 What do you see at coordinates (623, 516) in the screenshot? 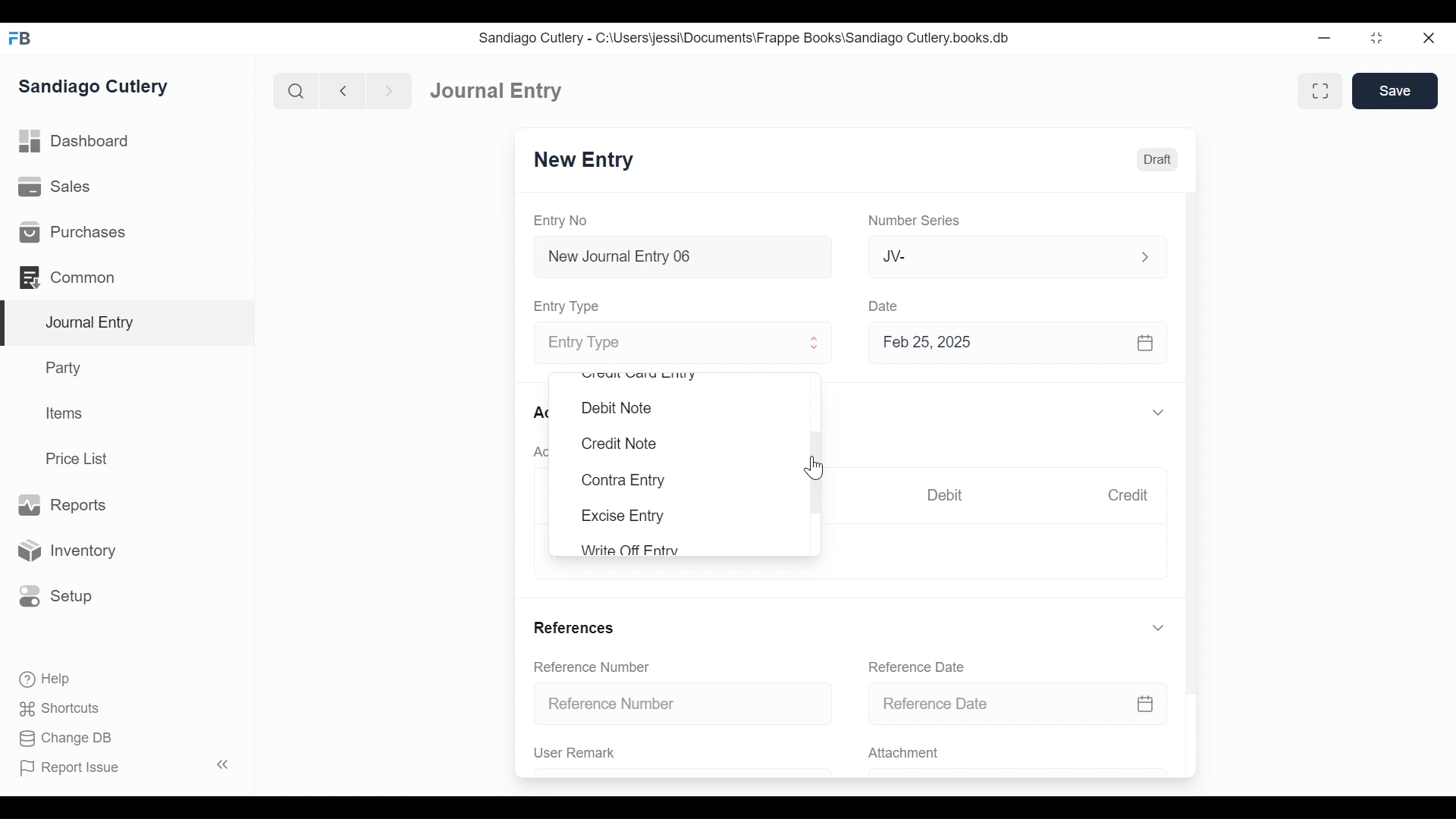
I see `Excise Entry` at bounding box center [623, 516].